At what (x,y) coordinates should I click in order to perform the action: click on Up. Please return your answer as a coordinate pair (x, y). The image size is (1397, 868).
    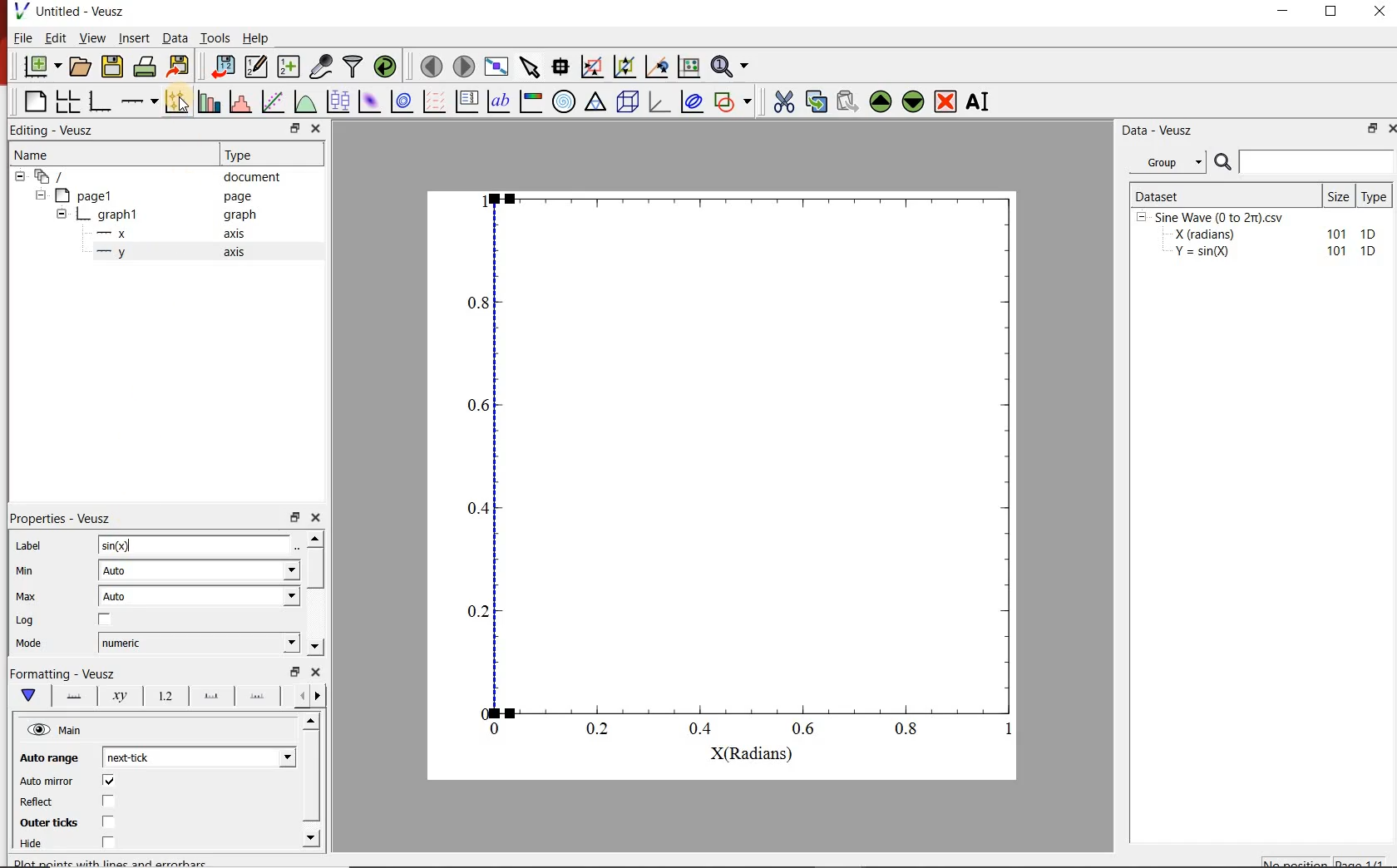
    Looking at the image, I should click on (310, 722).